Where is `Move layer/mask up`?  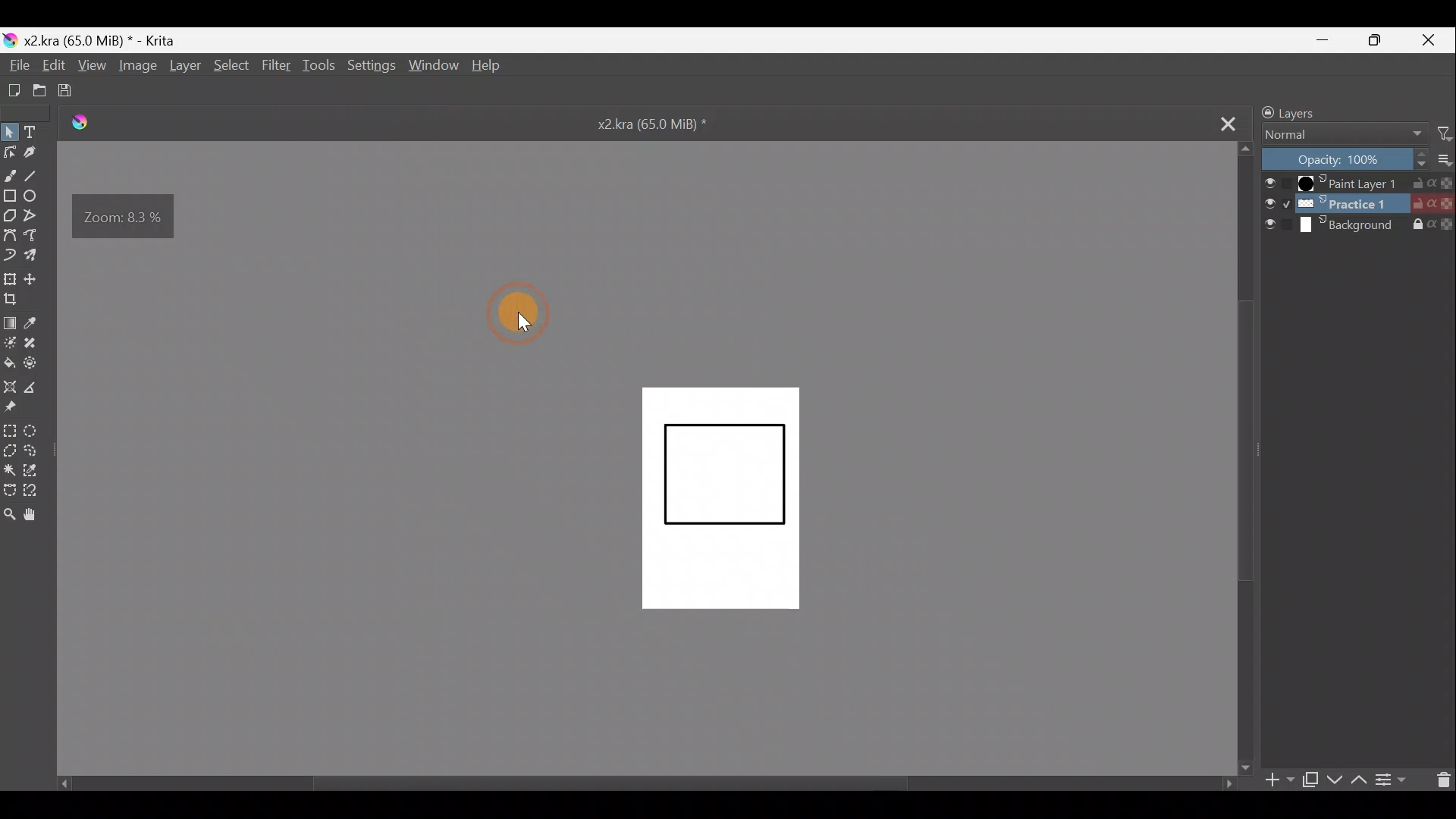 Move layer/mask up is located at coordinates (1361, 780).